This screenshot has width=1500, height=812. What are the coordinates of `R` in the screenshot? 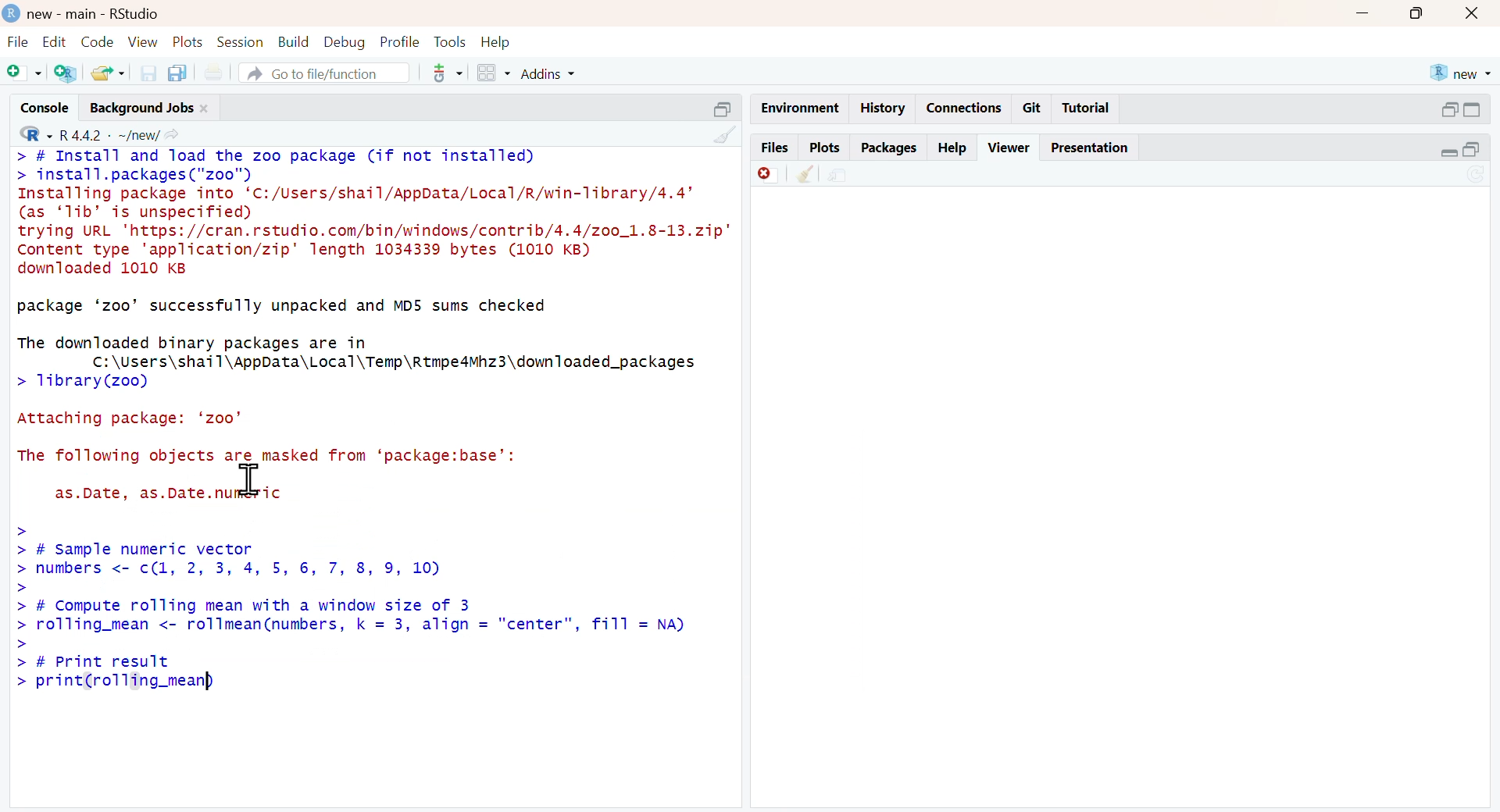 It's located at (36, 134).